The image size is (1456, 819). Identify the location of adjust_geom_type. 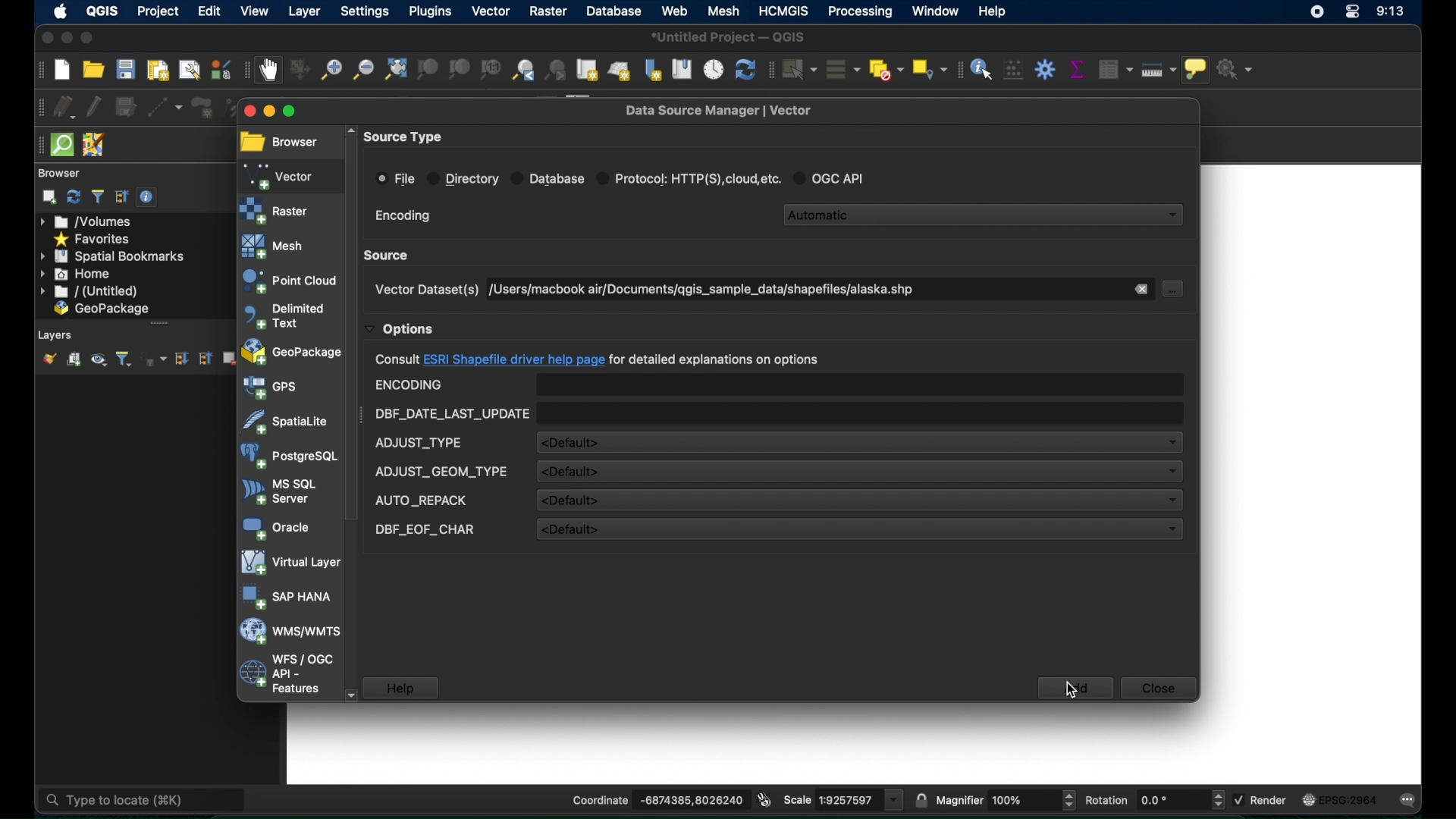
(441, 472).